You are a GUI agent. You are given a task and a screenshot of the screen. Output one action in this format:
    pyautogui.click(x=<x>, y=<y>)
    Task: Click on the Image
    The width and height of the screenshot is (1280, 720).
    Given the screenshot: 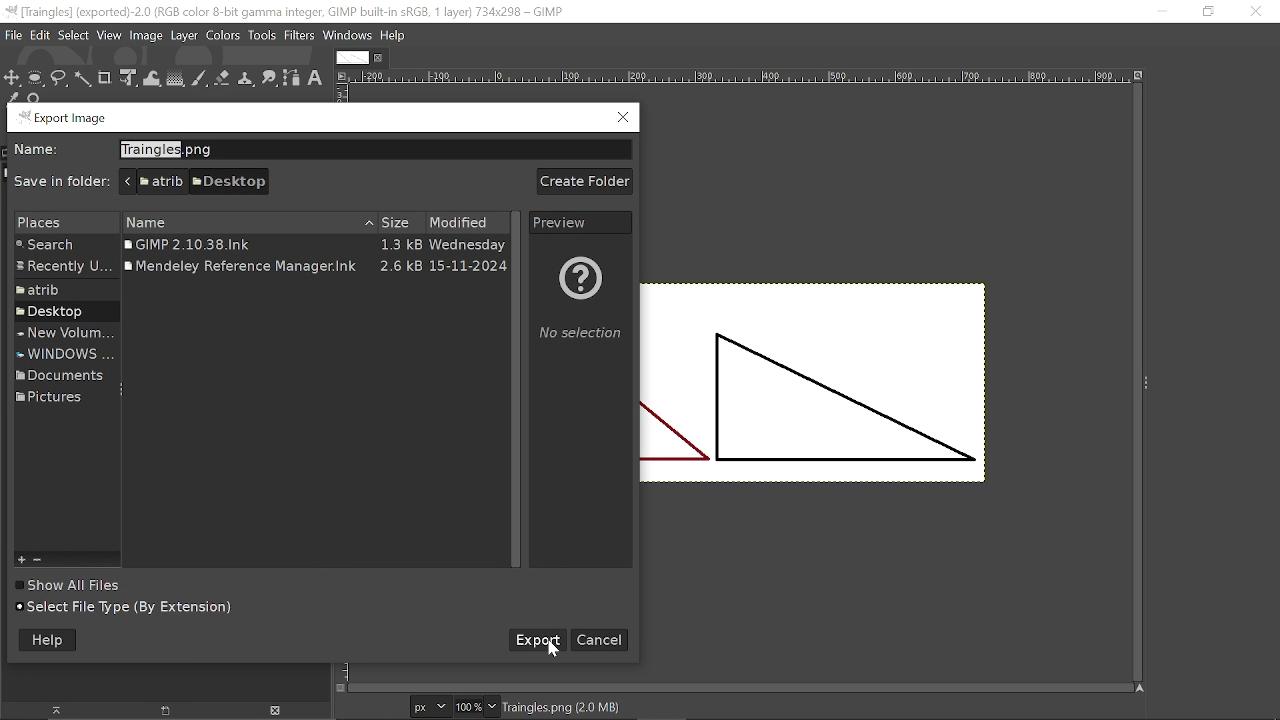 What is the action you would take?
    pyautogui.click(x=147, y=37)
    